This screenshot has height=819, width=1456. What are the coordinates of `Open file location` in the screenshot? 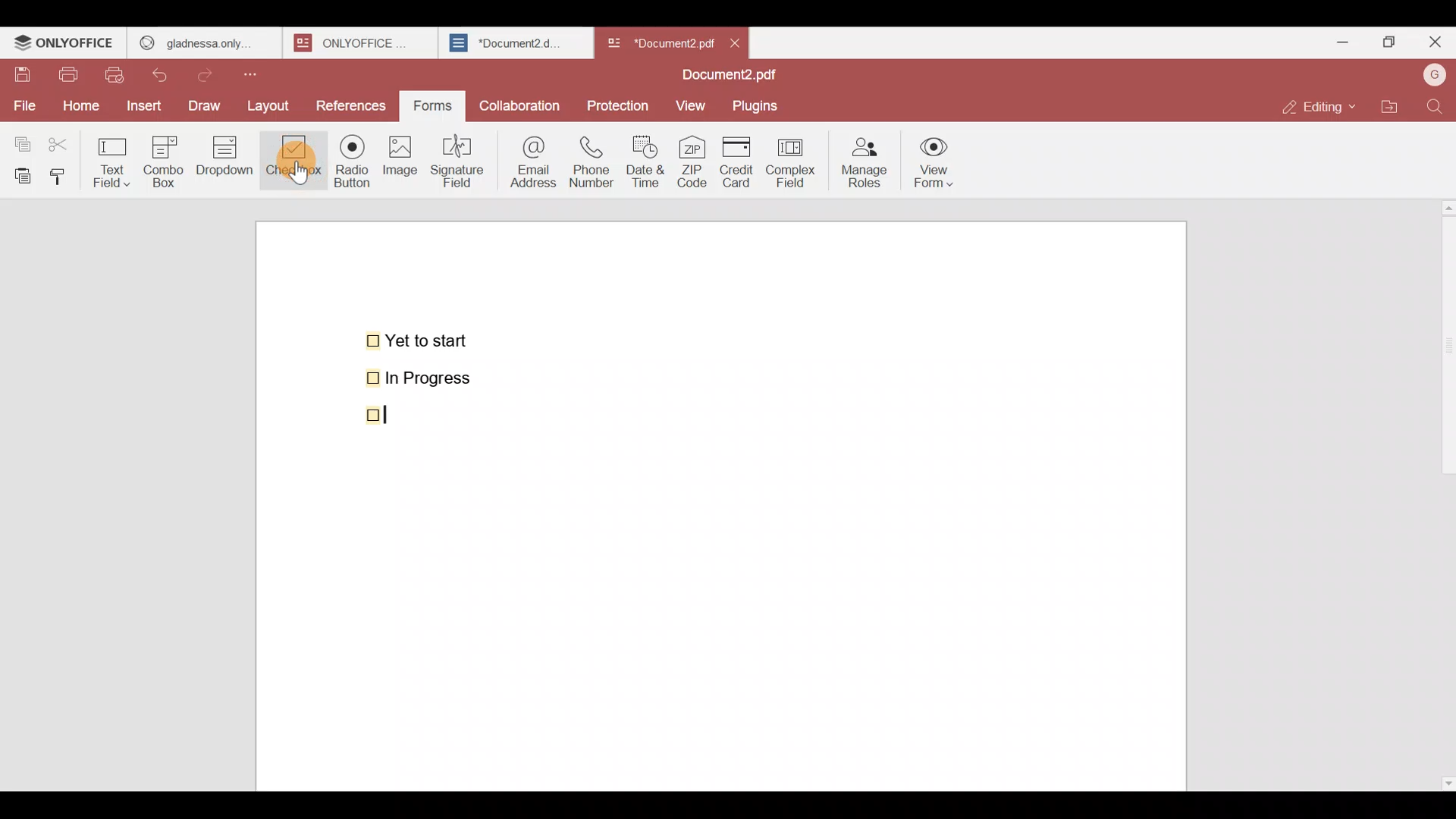 It's located at (1389, 105).